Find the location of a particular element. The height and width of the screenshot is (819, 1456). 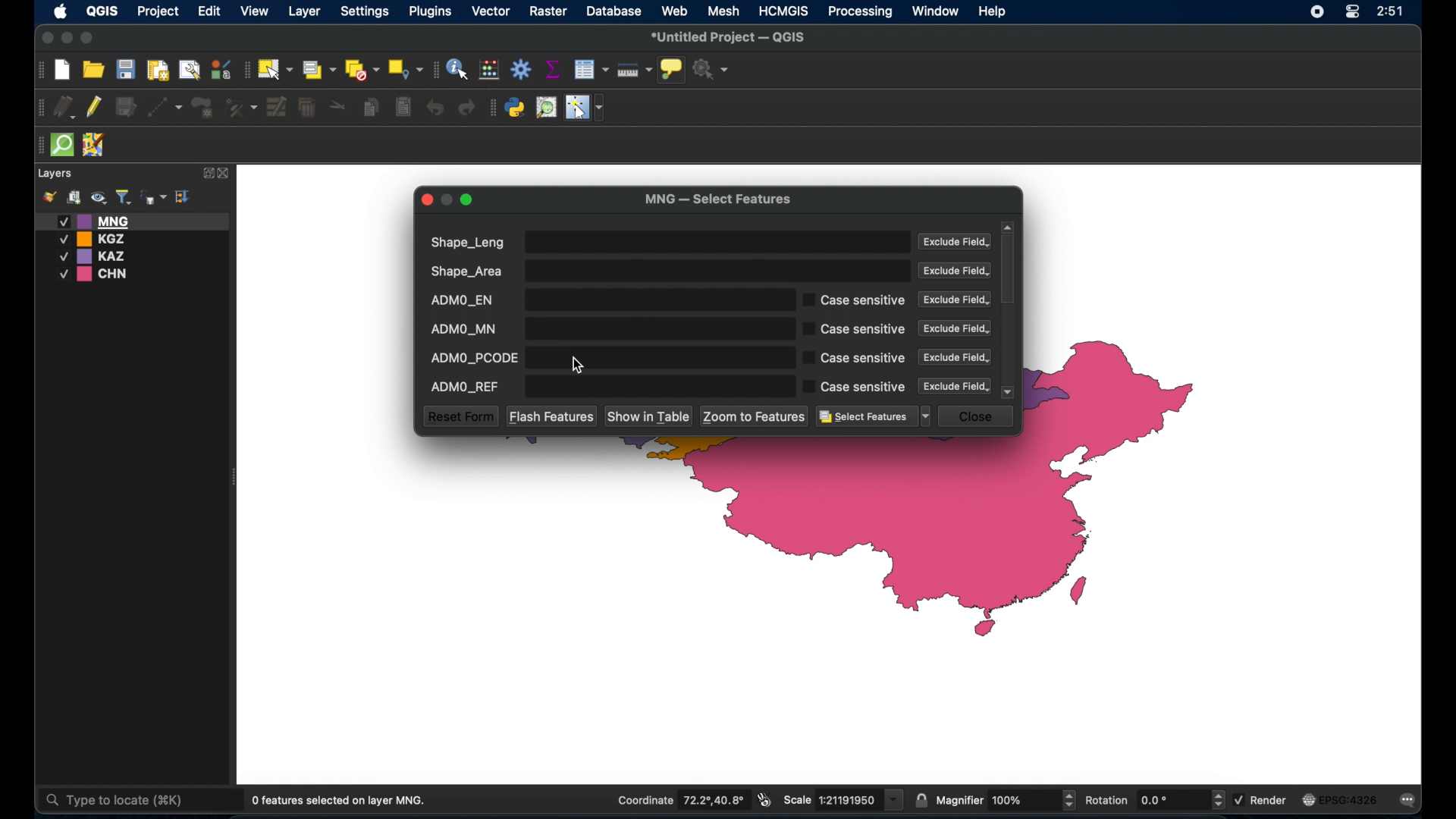

plugins is located at coordinates (431, 11).